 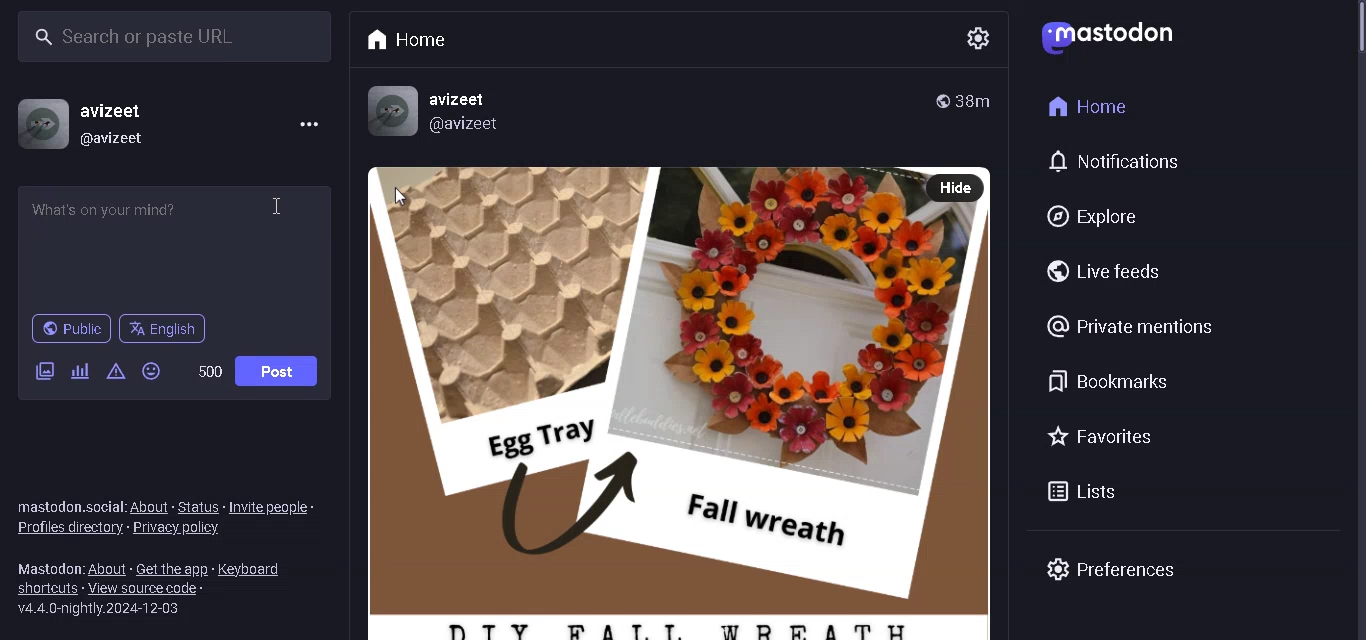 What do you see at coordinates (974, 99) in the screenshot?
I see `time posted` at bounding box center [974, 99].